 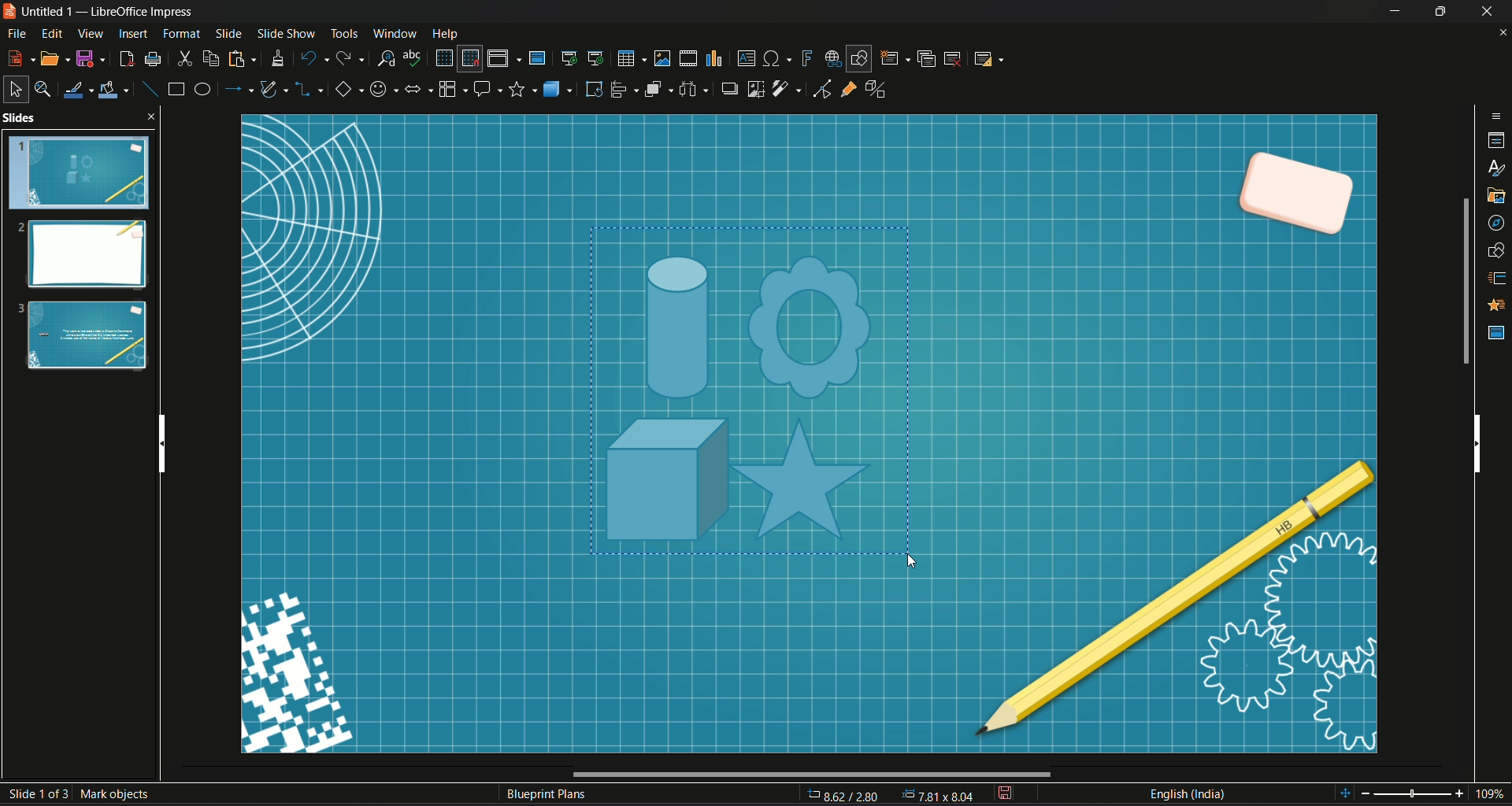 I want to click on spelling, so click(x=413, y=57).